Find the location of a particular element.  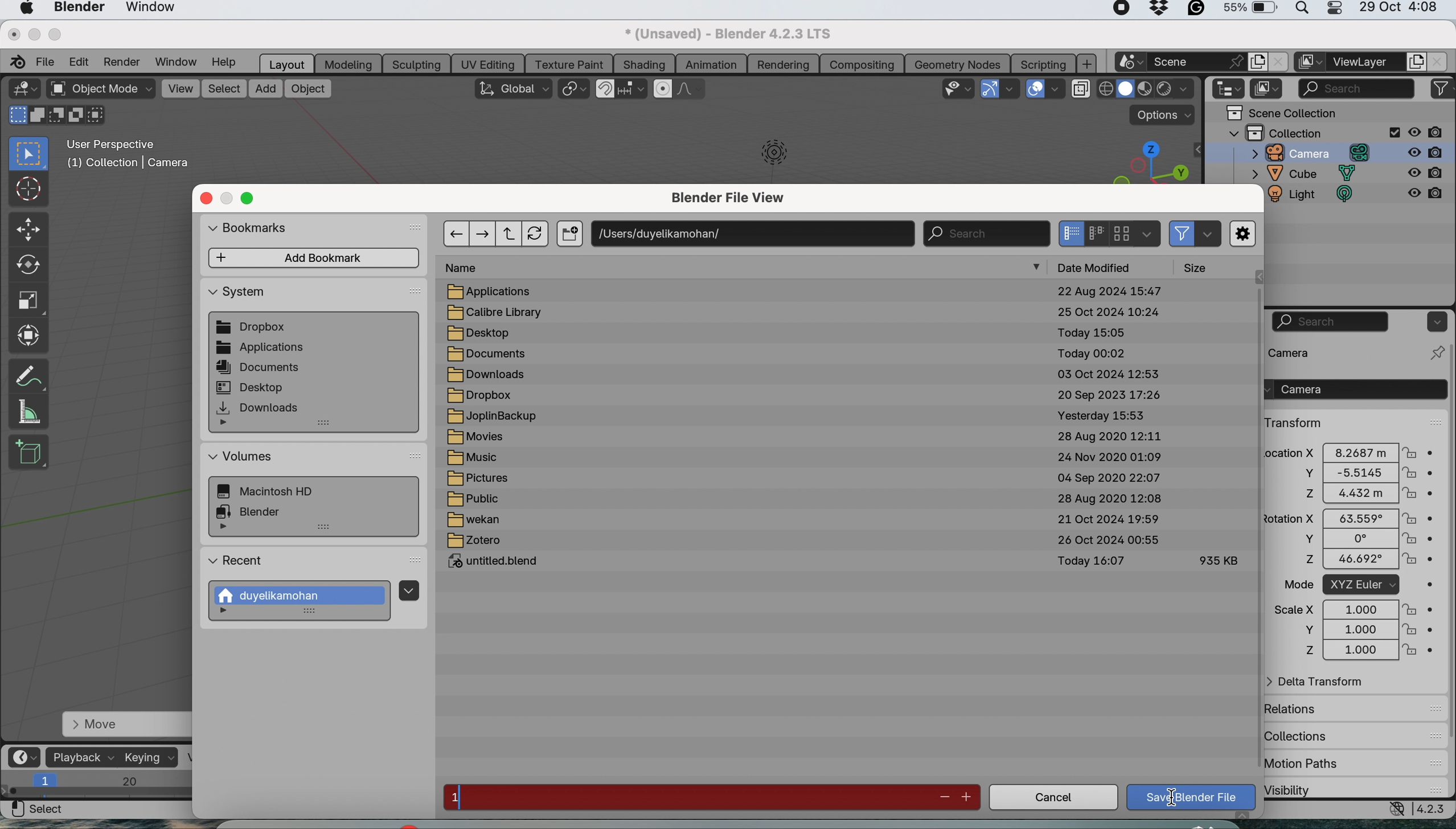

layout is located at coordinates (287, 63).